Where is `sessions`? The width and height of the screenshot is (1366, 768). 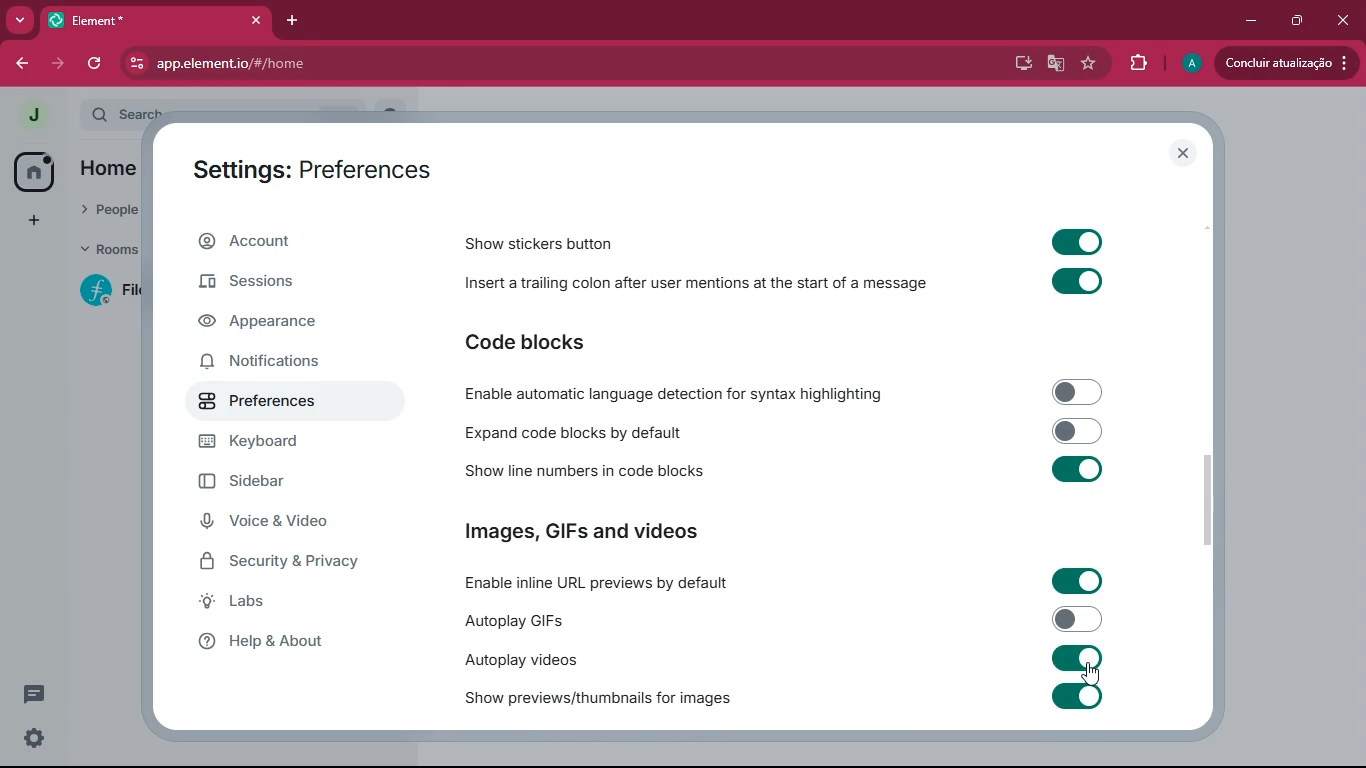
sessions is located at coordinates (272, 284).